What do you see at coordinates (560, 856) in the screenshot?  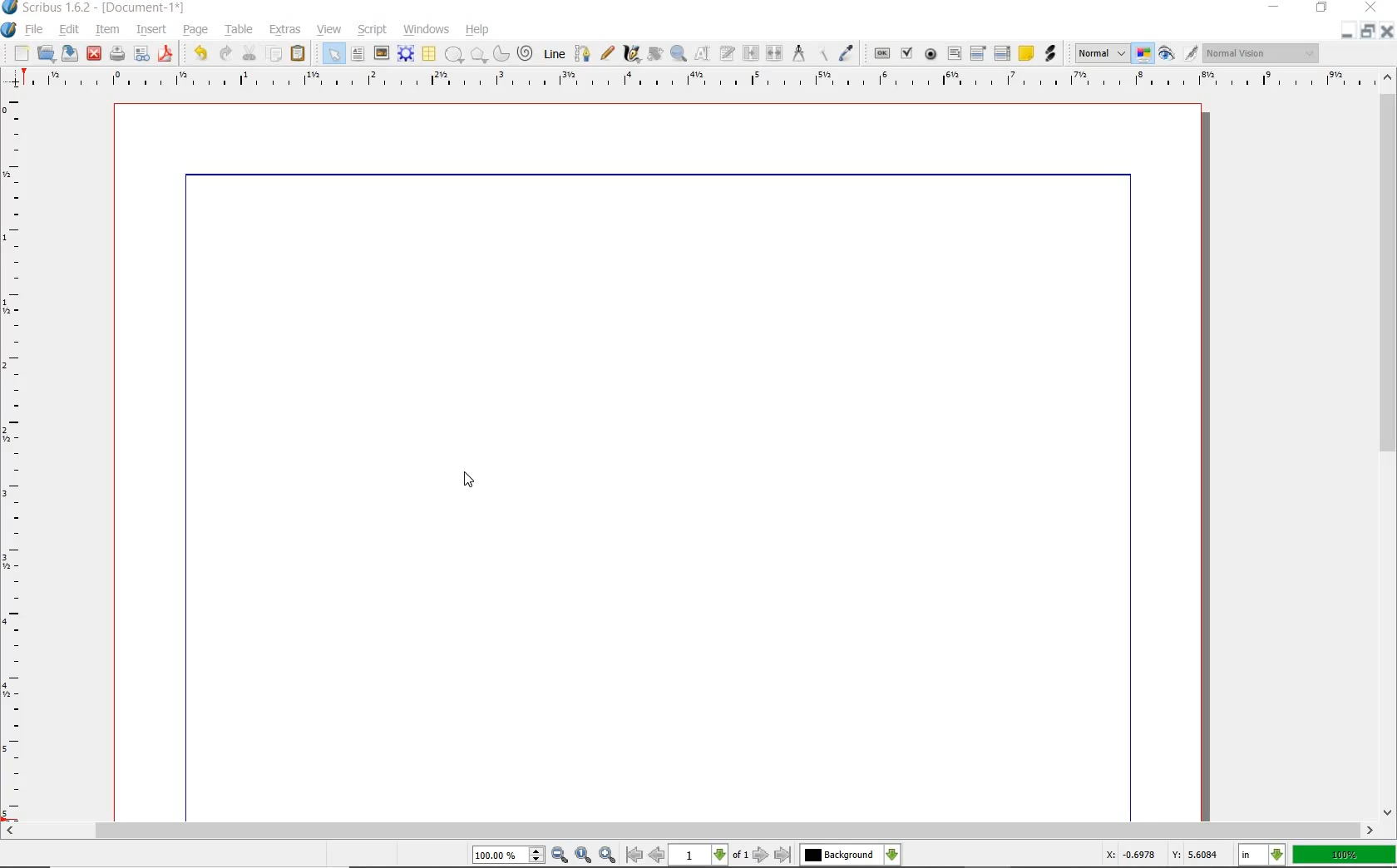 I see `zoom in` at bounding box center [560, 856].